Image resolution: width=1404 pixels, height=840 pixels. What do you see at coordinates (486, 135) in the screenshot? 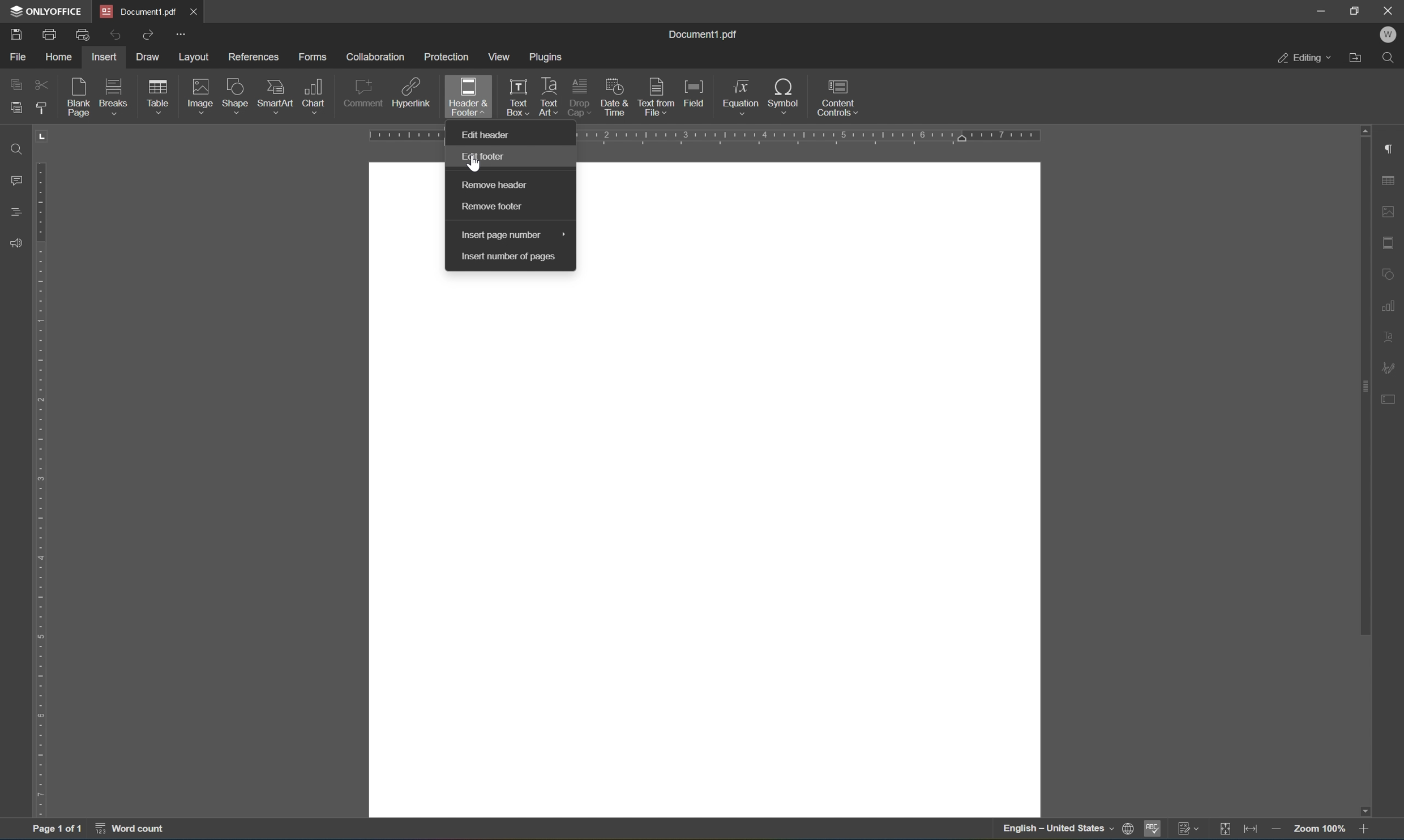
I see `edit header` at bounding box center [486, 135].